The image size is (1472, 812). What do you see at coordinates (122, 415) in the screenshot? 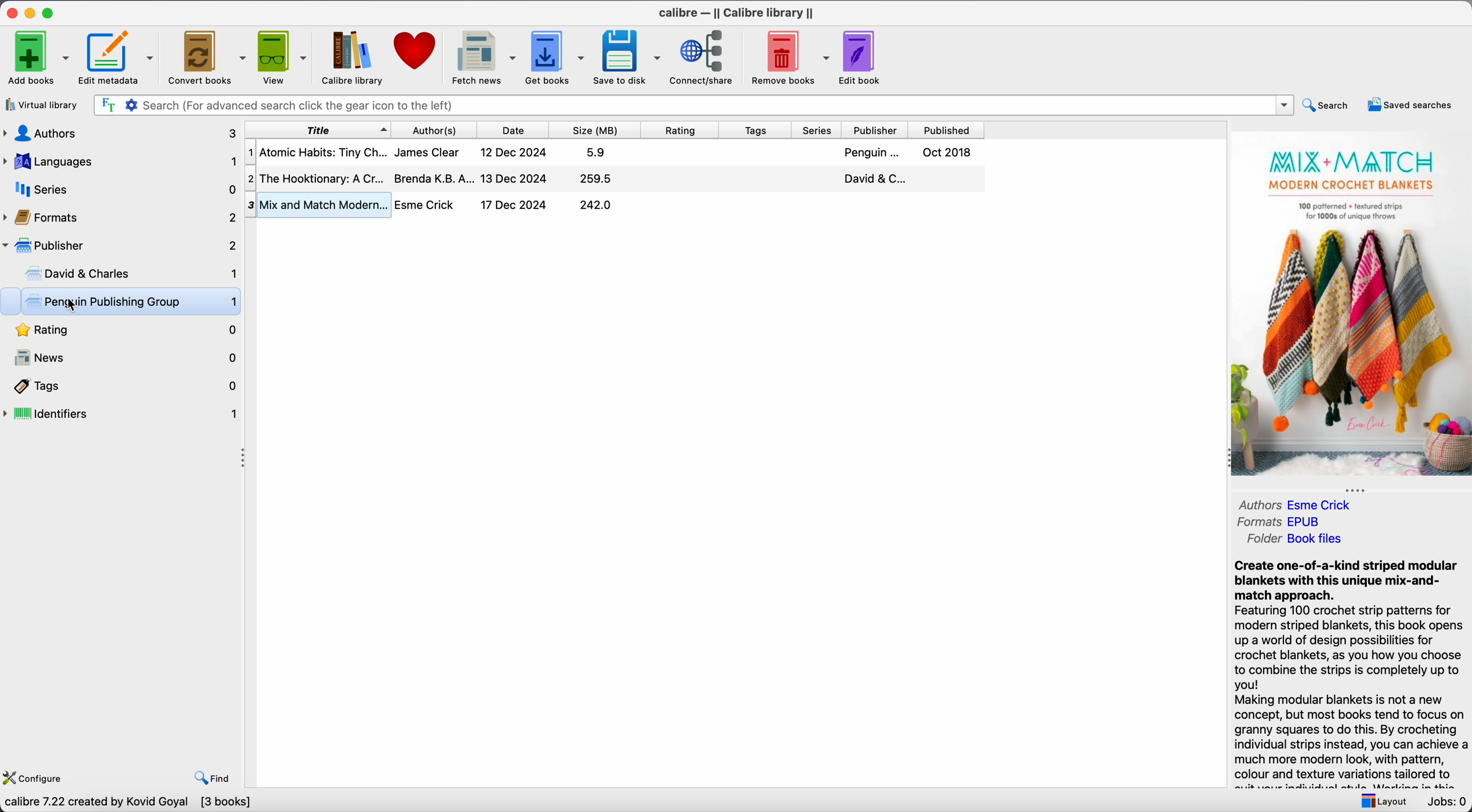
I see `identifiers` at bounding box center [122, 415].